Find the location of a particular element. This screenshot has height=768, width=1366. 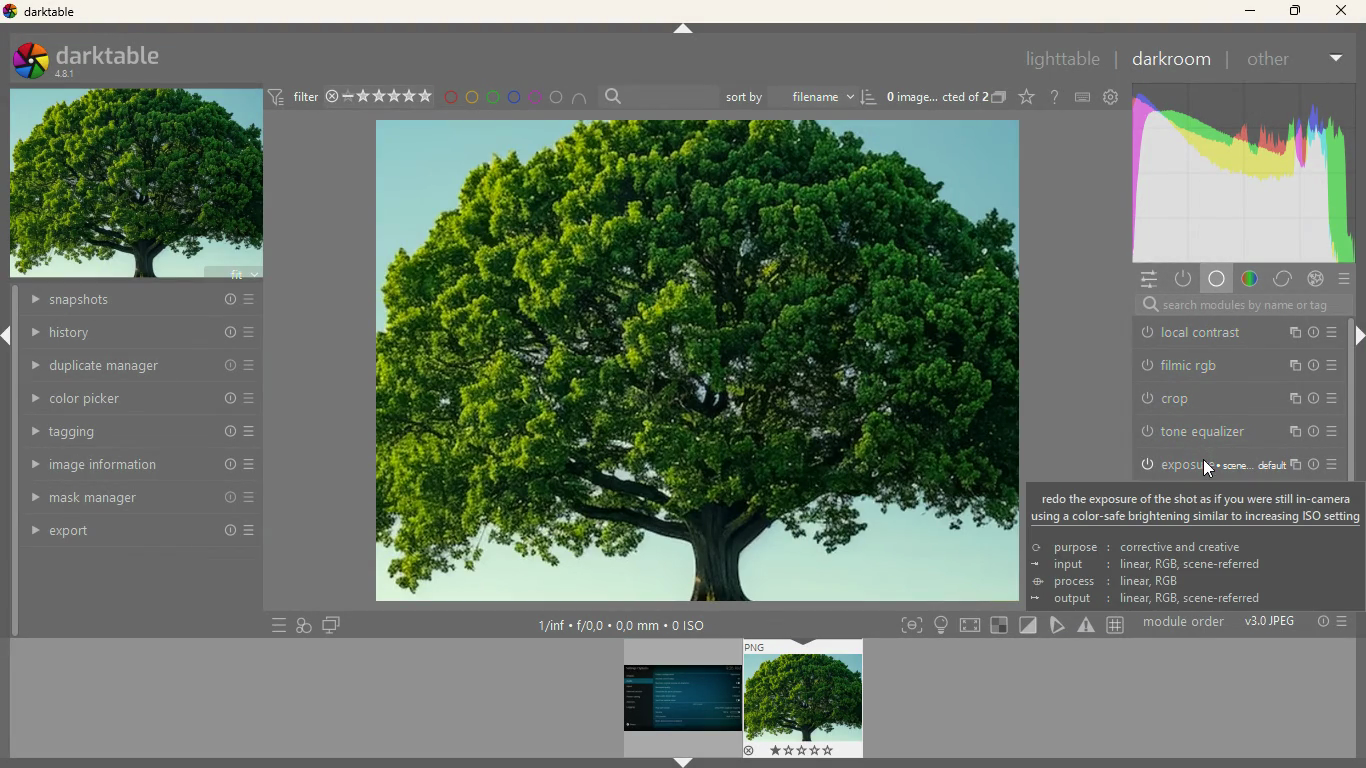

diagram is located at coordinates (301, 624).